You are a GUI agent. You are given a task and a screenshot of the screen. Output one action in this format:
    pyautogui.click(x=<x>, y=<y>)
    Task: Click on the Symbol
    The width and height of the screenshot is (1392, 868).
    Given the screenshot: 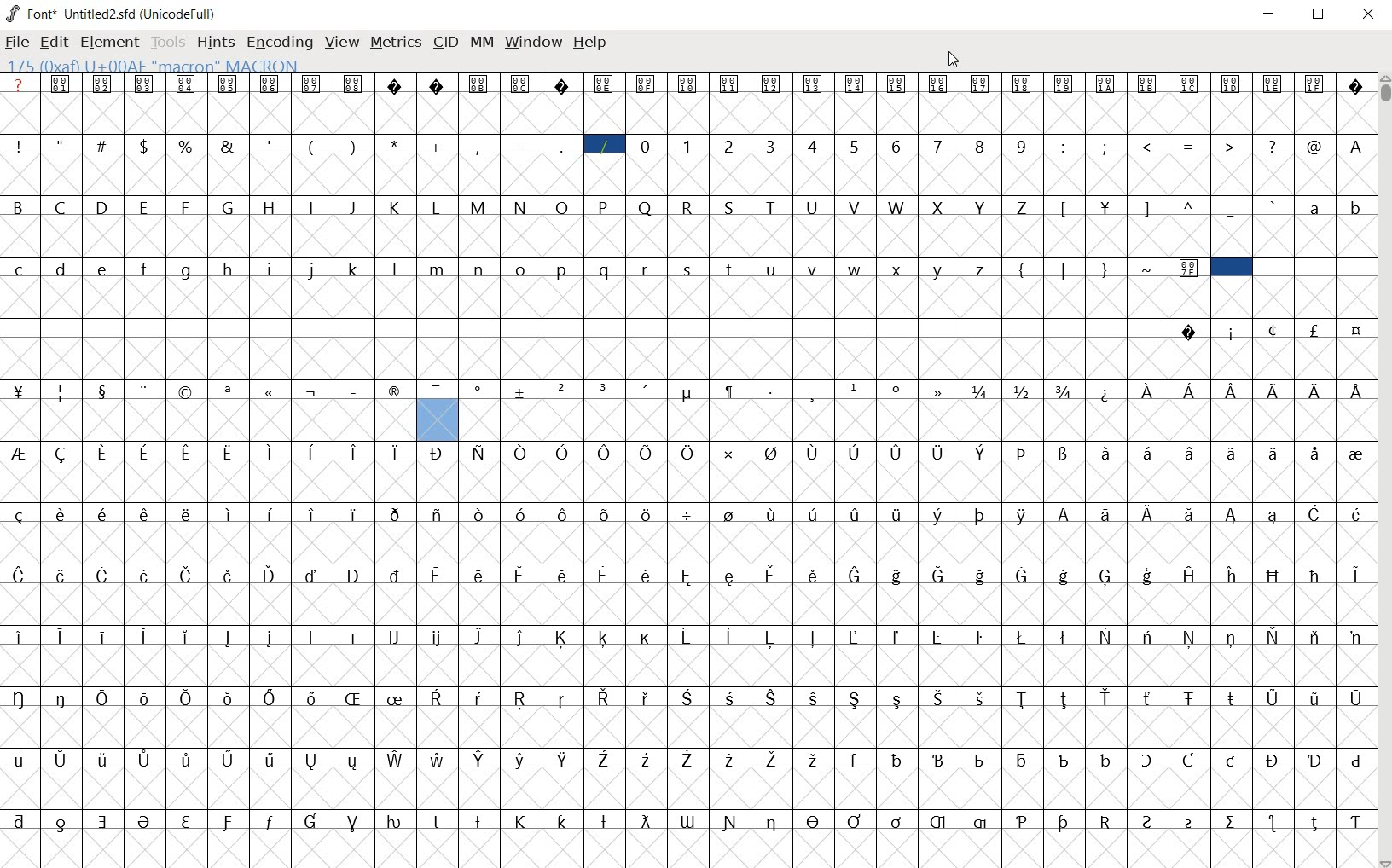 What is the action you would take?
    pyautogui.click(x=1066, y=391)
    